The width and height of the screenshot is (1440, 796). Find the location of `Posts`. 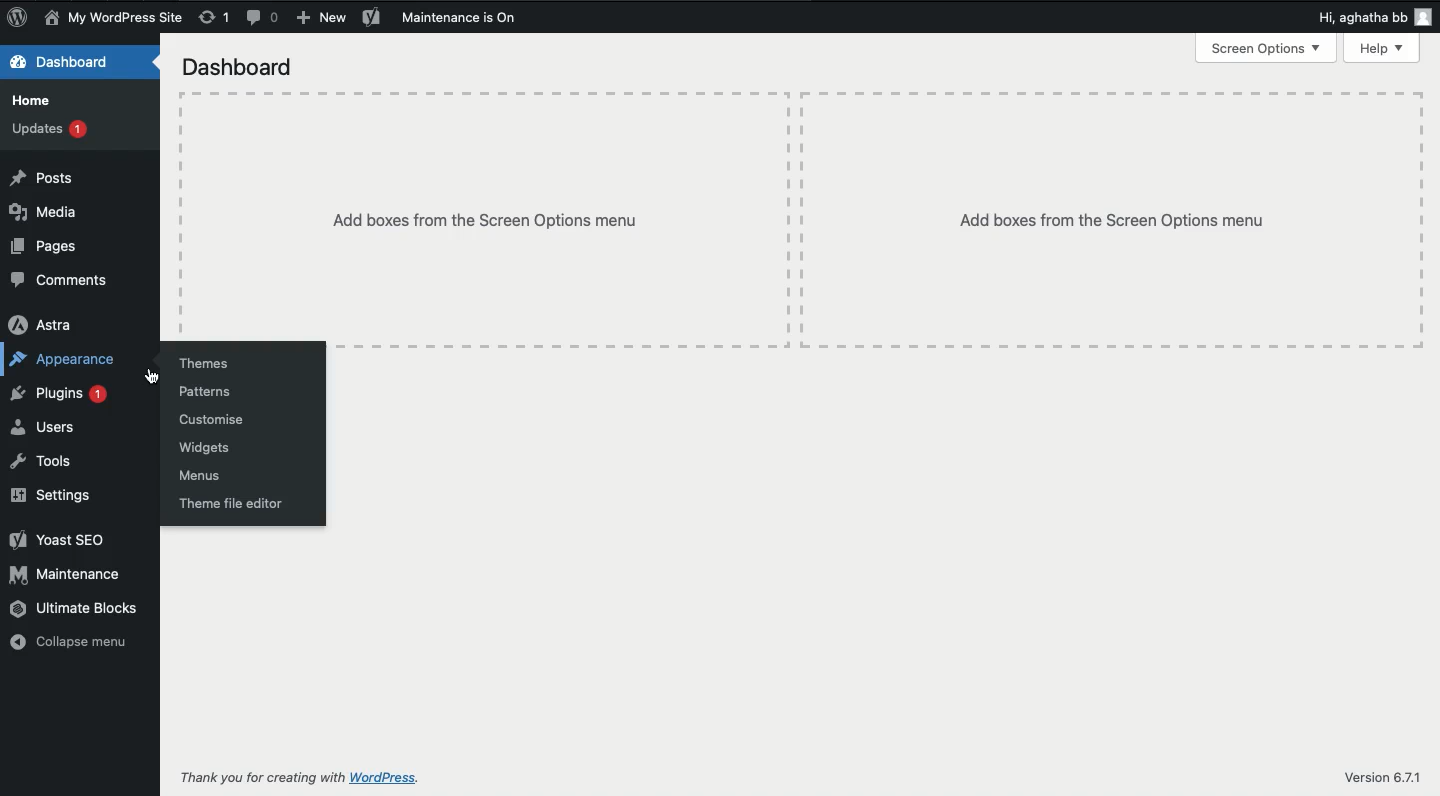

Posts is located at coordinates (45, 178).